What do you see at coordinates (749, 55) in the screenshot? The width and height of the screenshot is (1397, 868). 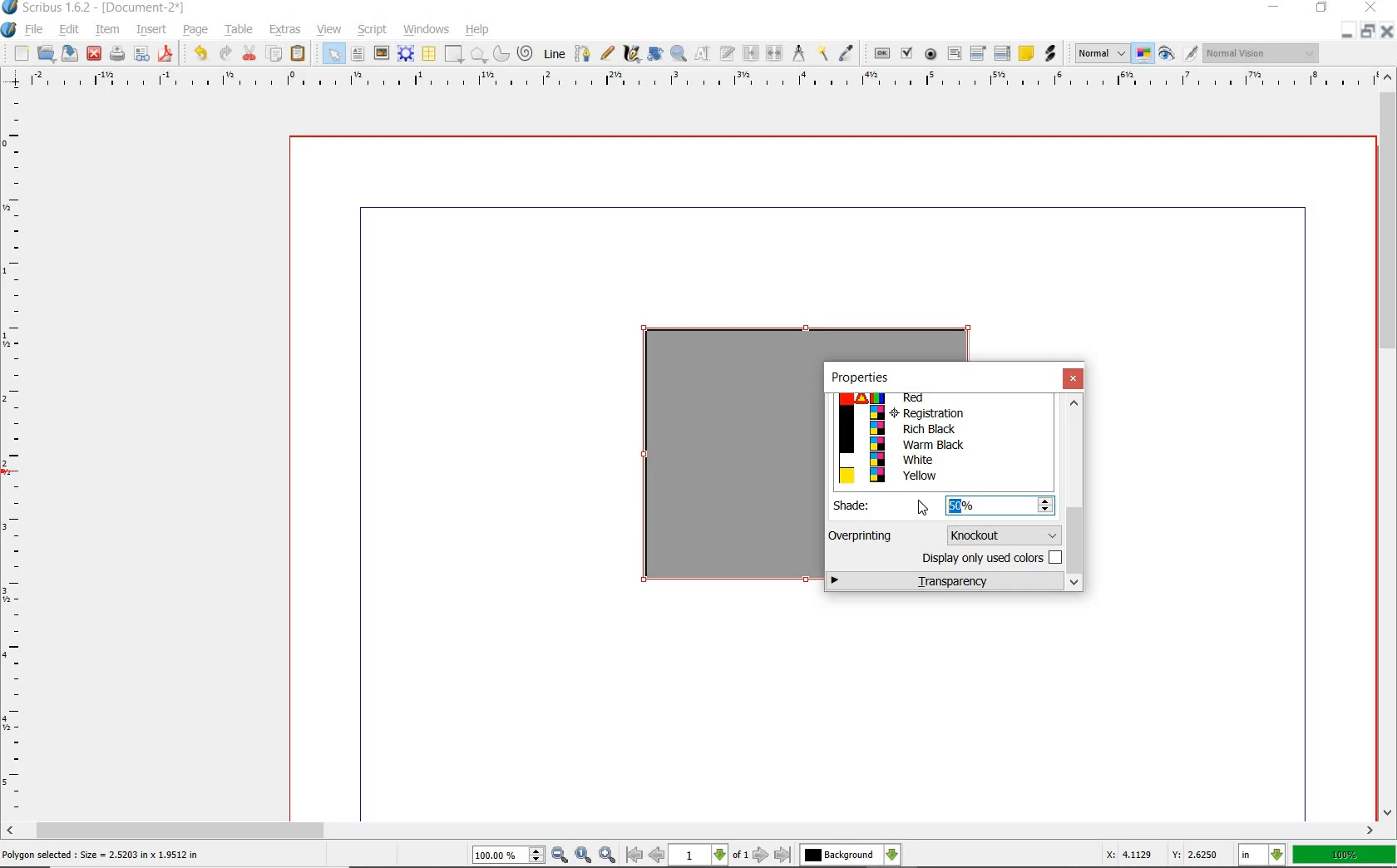 I see `link text frames` at bounding box center [749, 55].